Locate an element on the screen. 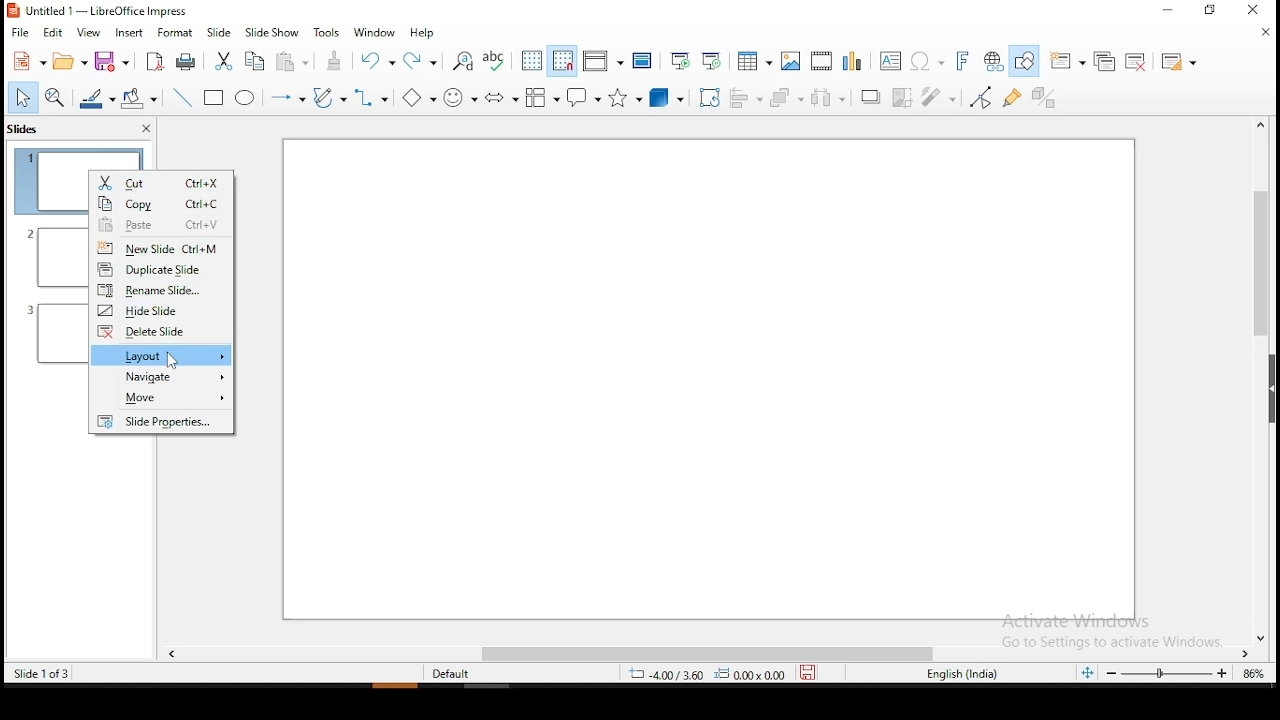 Image resolution: width=1280 pixels, height=720 pixels. mouse pointer is located at coordinates (174, 360).